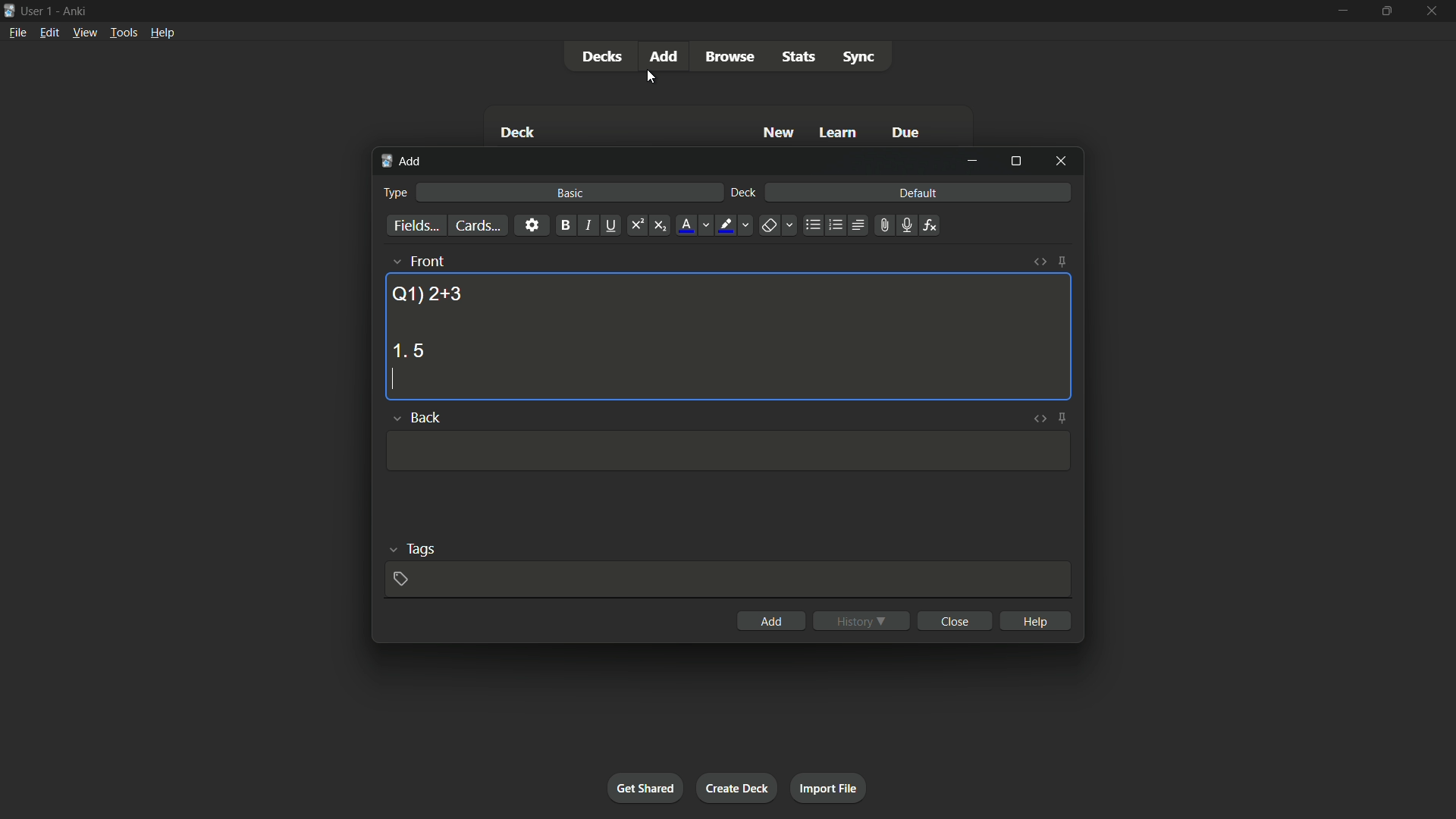 Image resolution: width=1456 pixels, height=819 pixels. I want to click on help, so click(1037, 620).